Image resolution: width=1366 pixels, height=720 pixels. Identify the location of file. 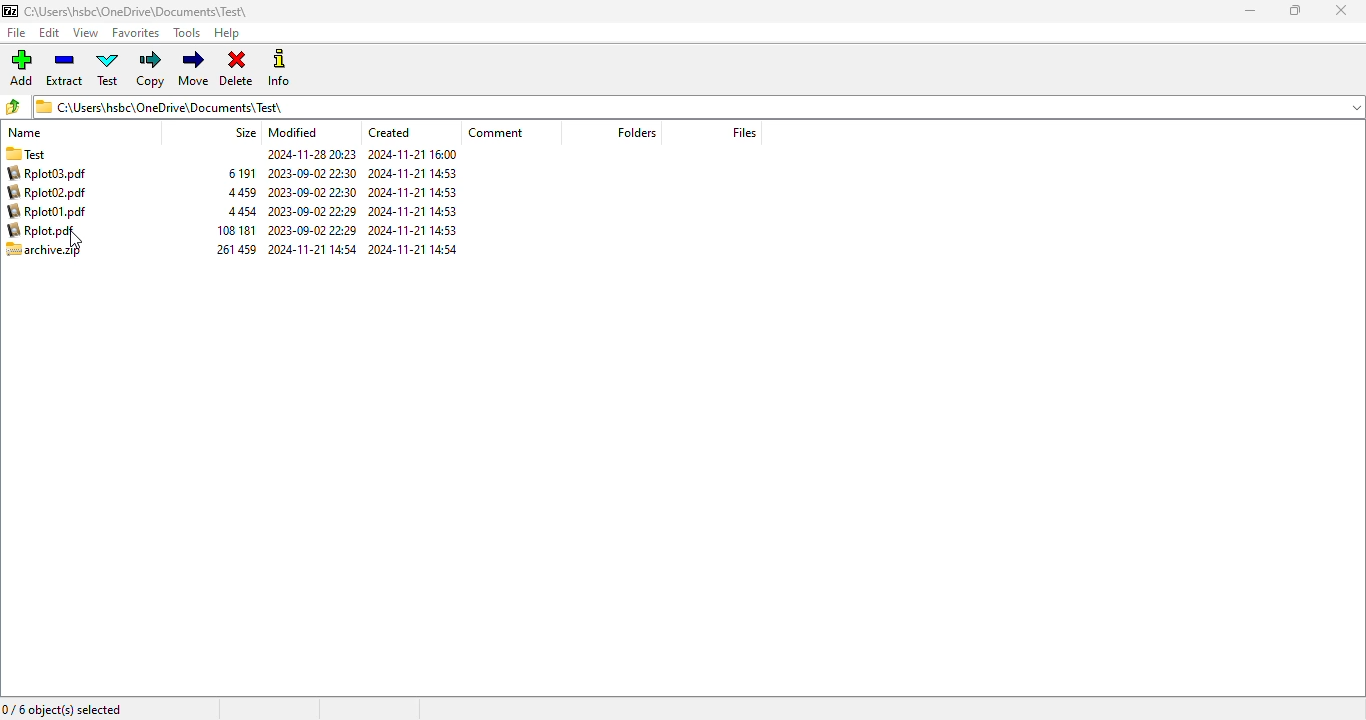
(15, 33).